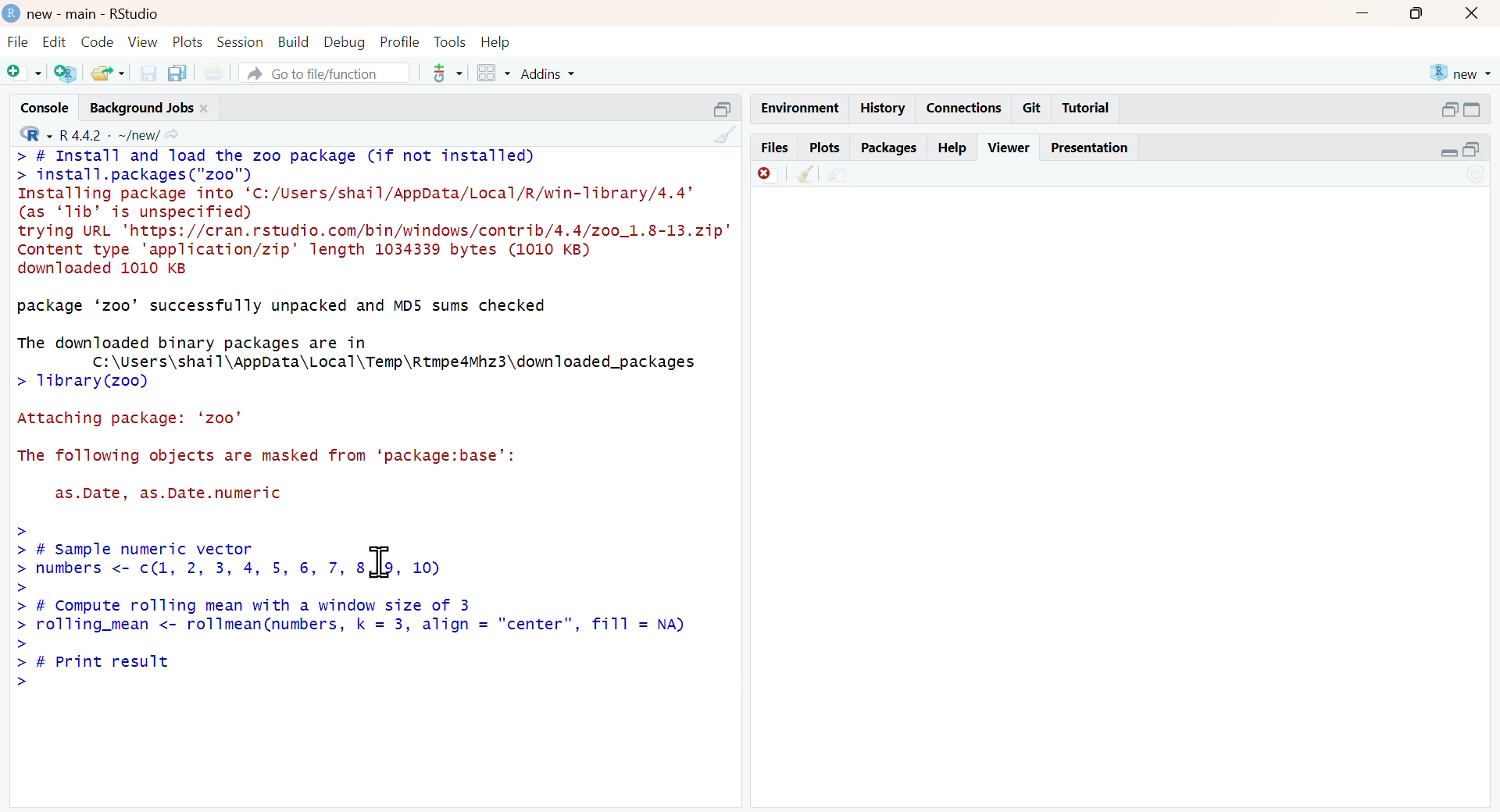 This screenshot has width=1500, height=812. Describe the element at coordinates (1472, 13) in the screenshot. I see `close` at that location.